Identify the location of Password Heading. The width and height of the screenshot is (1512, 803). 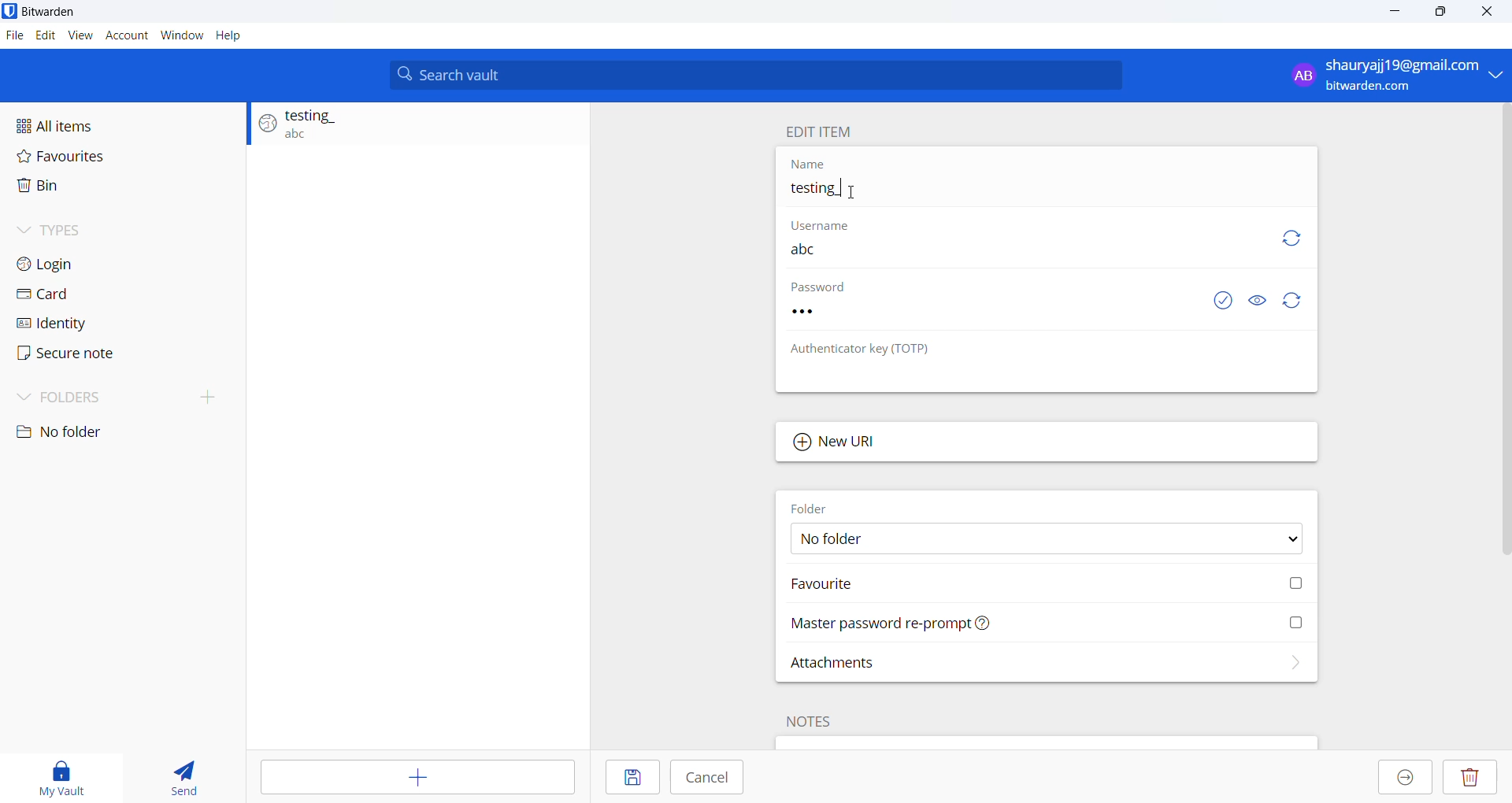
(820, 289).